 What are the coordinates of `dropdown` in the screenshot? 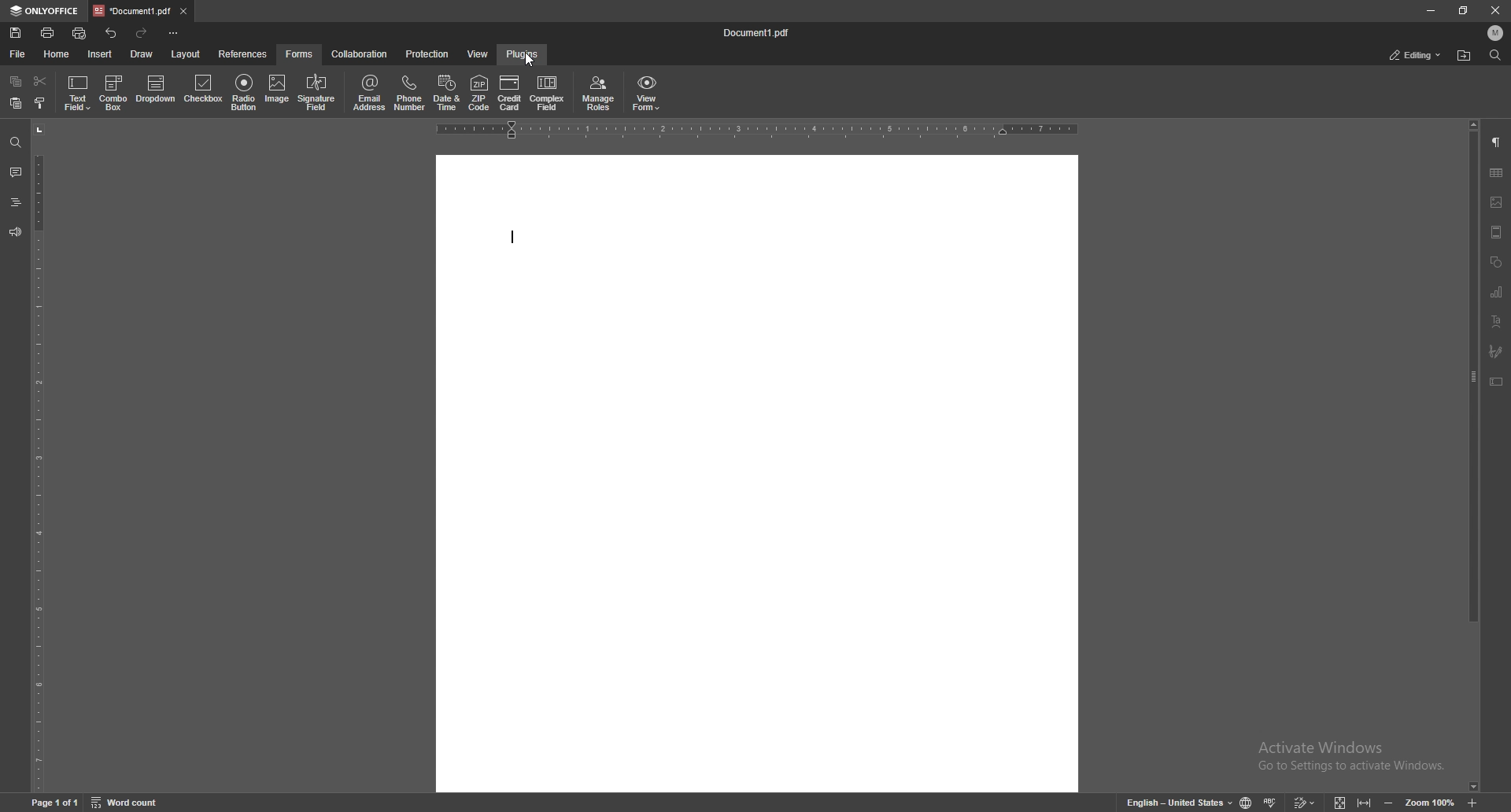 It's located at (156, 91).